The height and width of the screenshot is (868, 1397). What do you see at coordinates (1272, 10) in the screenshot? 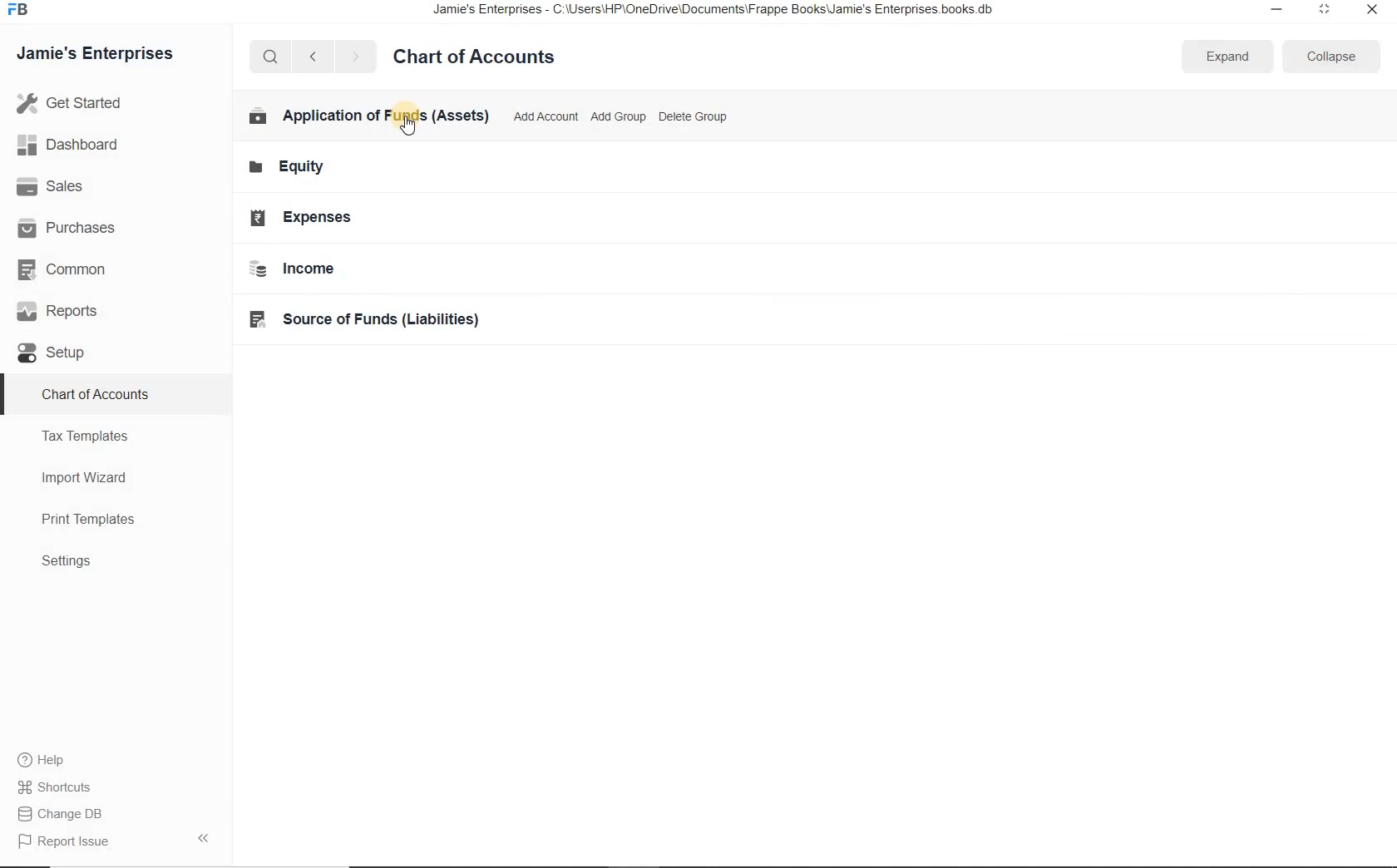
I see `minimize` at bounding box center [1272, 10].